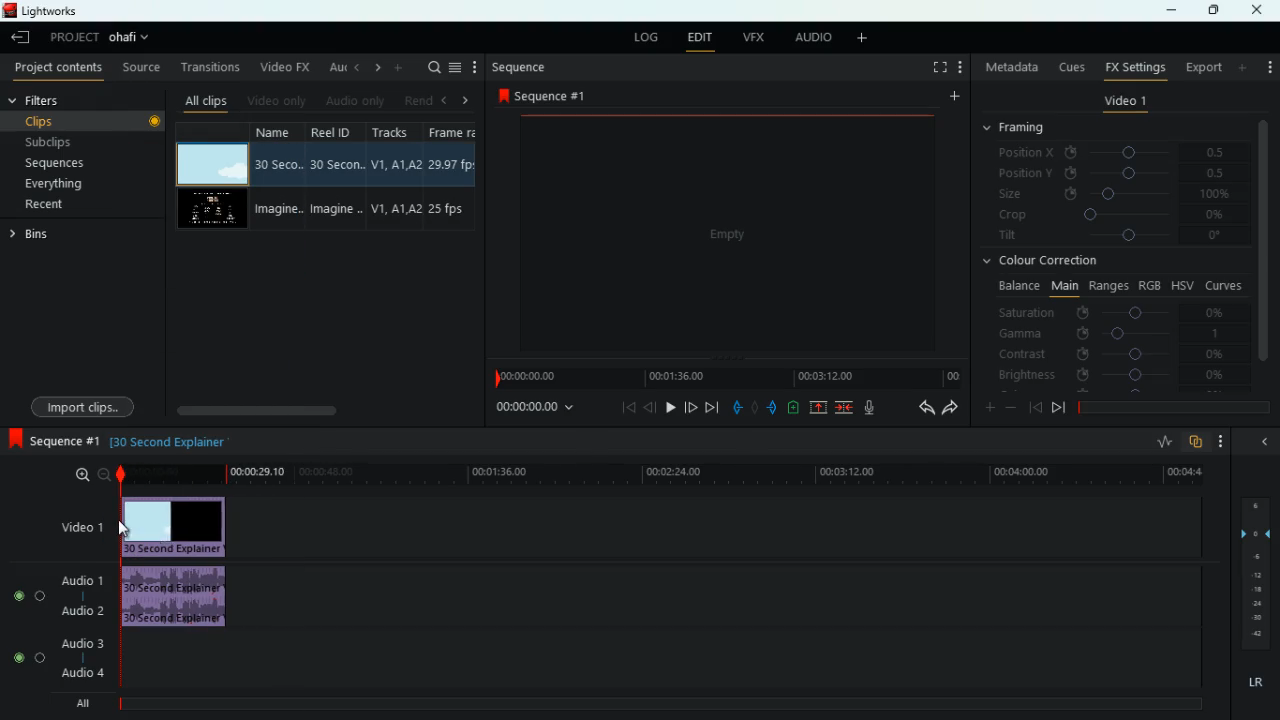 The height and width of the screenshot is (720, 1280). I want to click on more, so click(952, 97).